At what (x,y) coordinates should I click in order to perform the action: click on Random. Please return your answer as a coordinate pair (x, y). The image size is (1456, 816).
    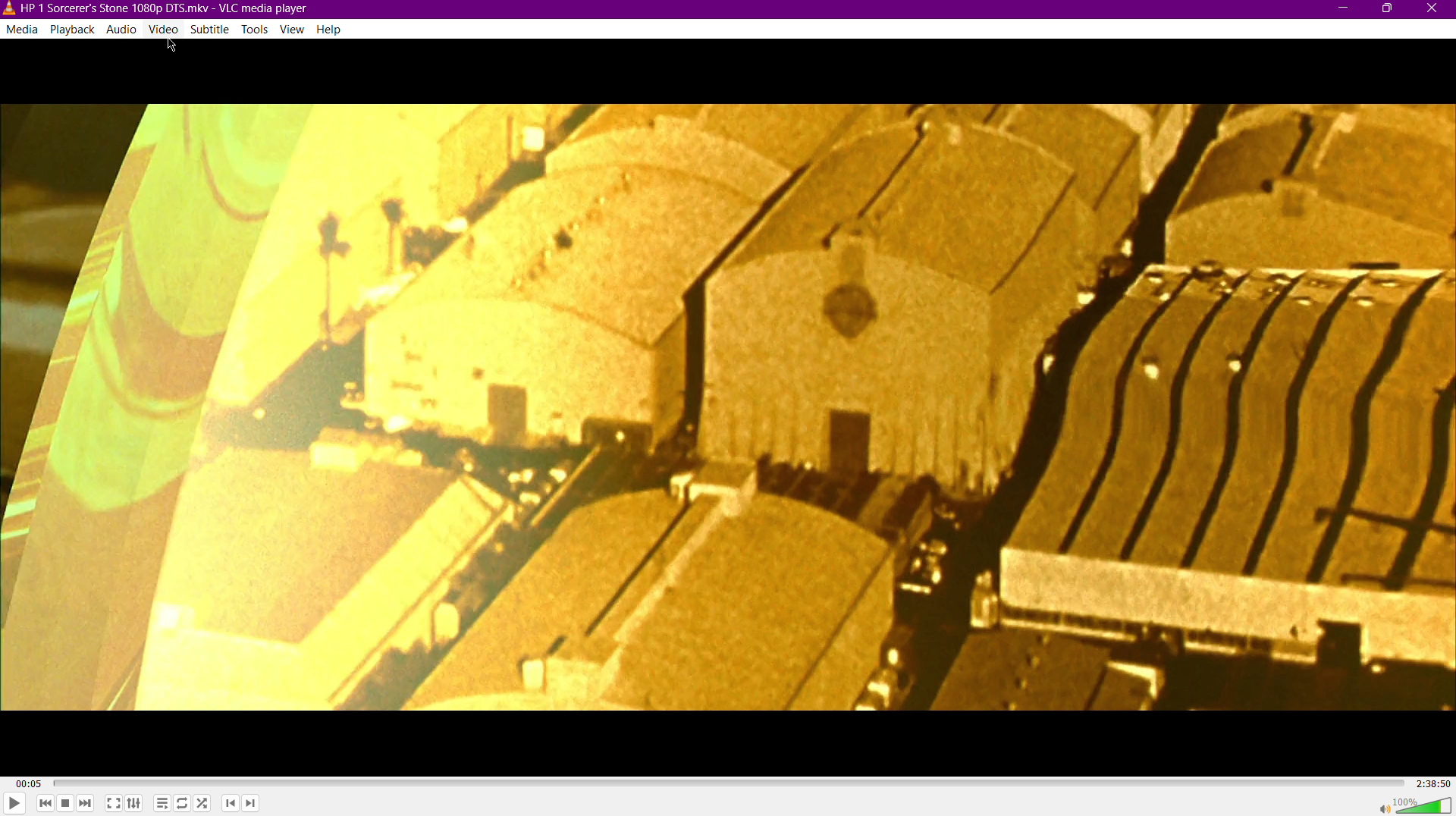
    Looking at the image, I should click on (202, 804).